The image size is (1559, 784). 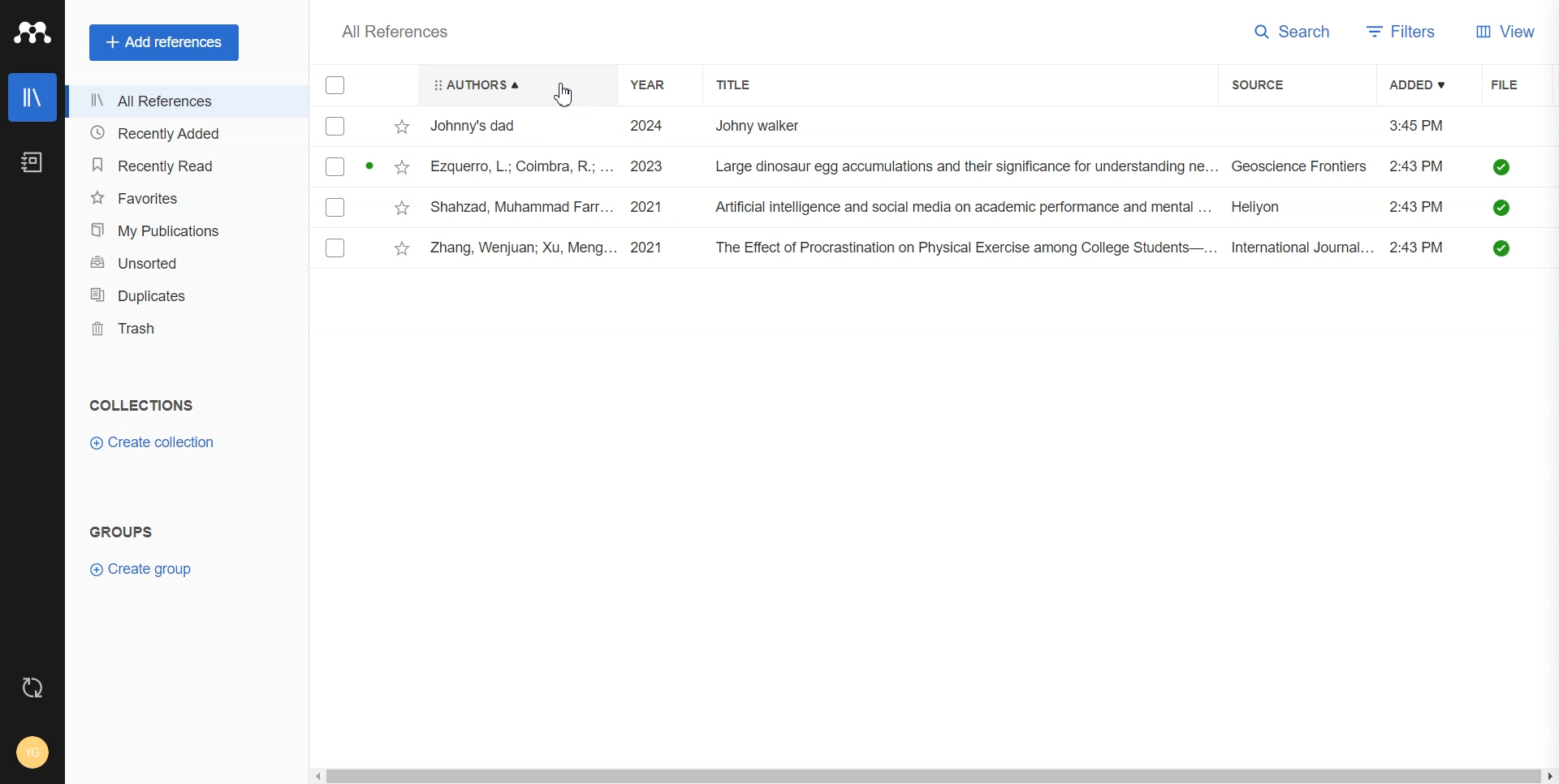 What do you see at coordinates (659, 84) in the screenshot?
I see `Year` at bounding box center [659, 84].